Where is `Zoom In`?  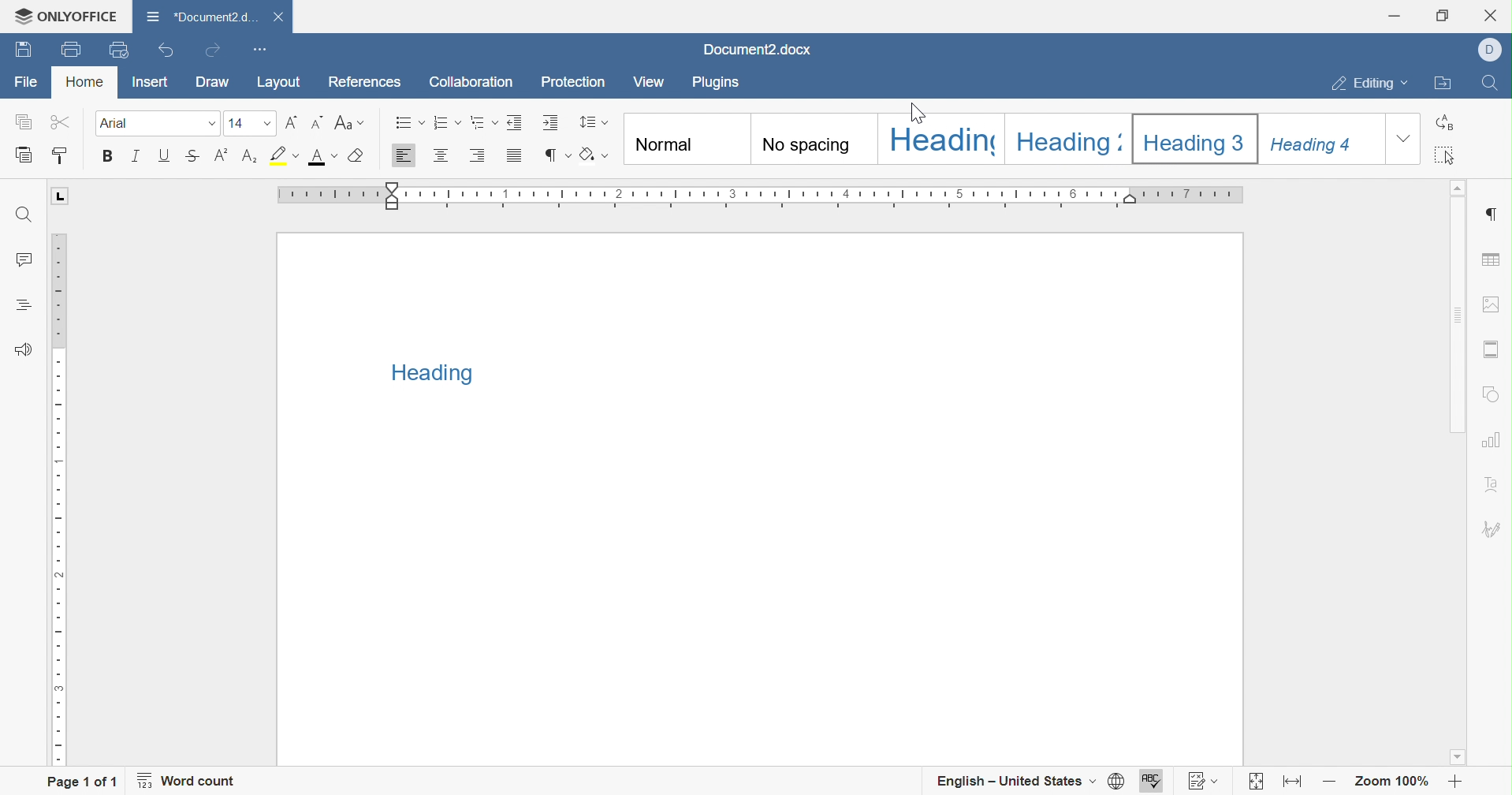 Zoom In is located at coordinates (1452, 782).